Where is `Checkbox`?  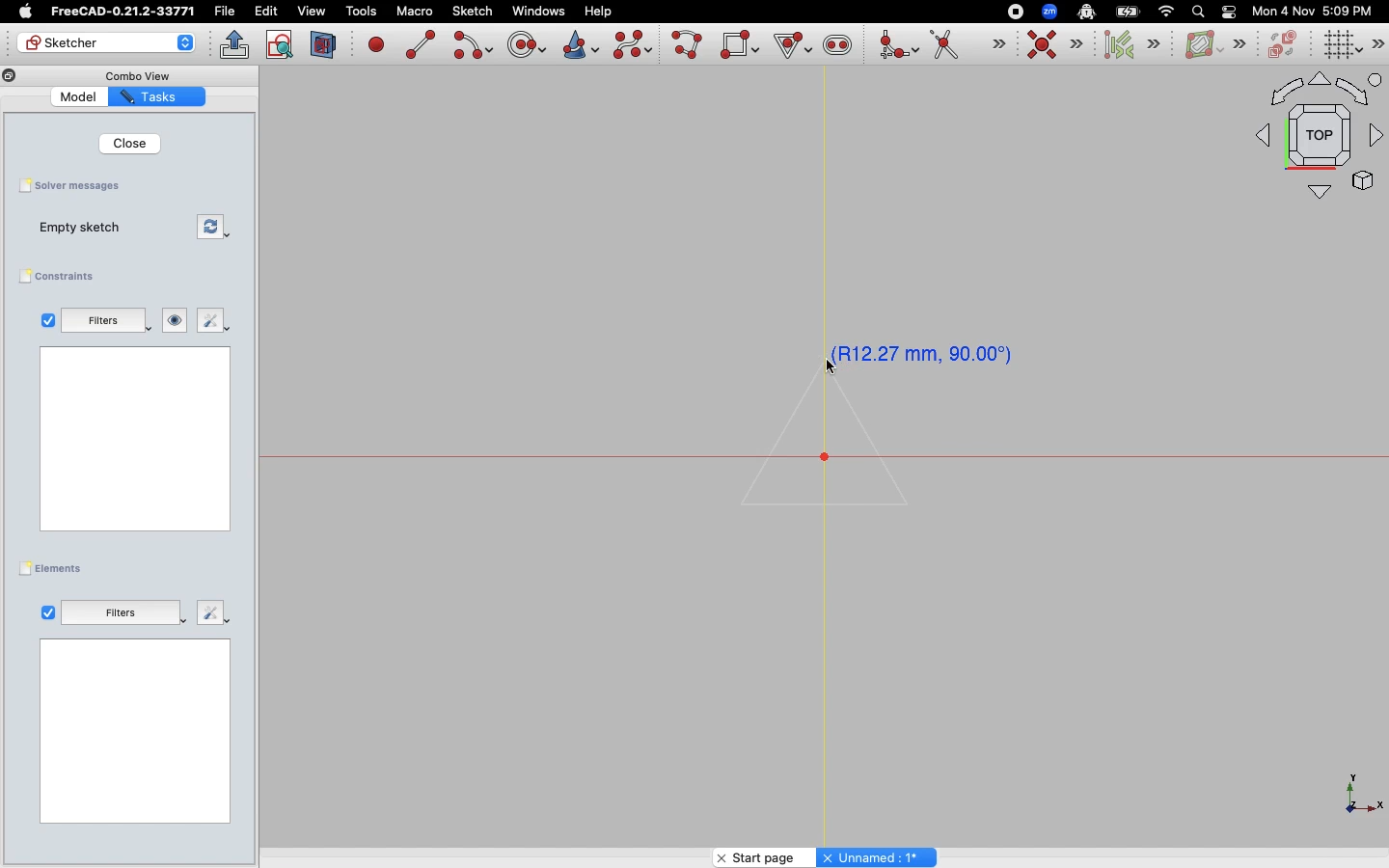
Checkbox is located at coordinates (48, 611).